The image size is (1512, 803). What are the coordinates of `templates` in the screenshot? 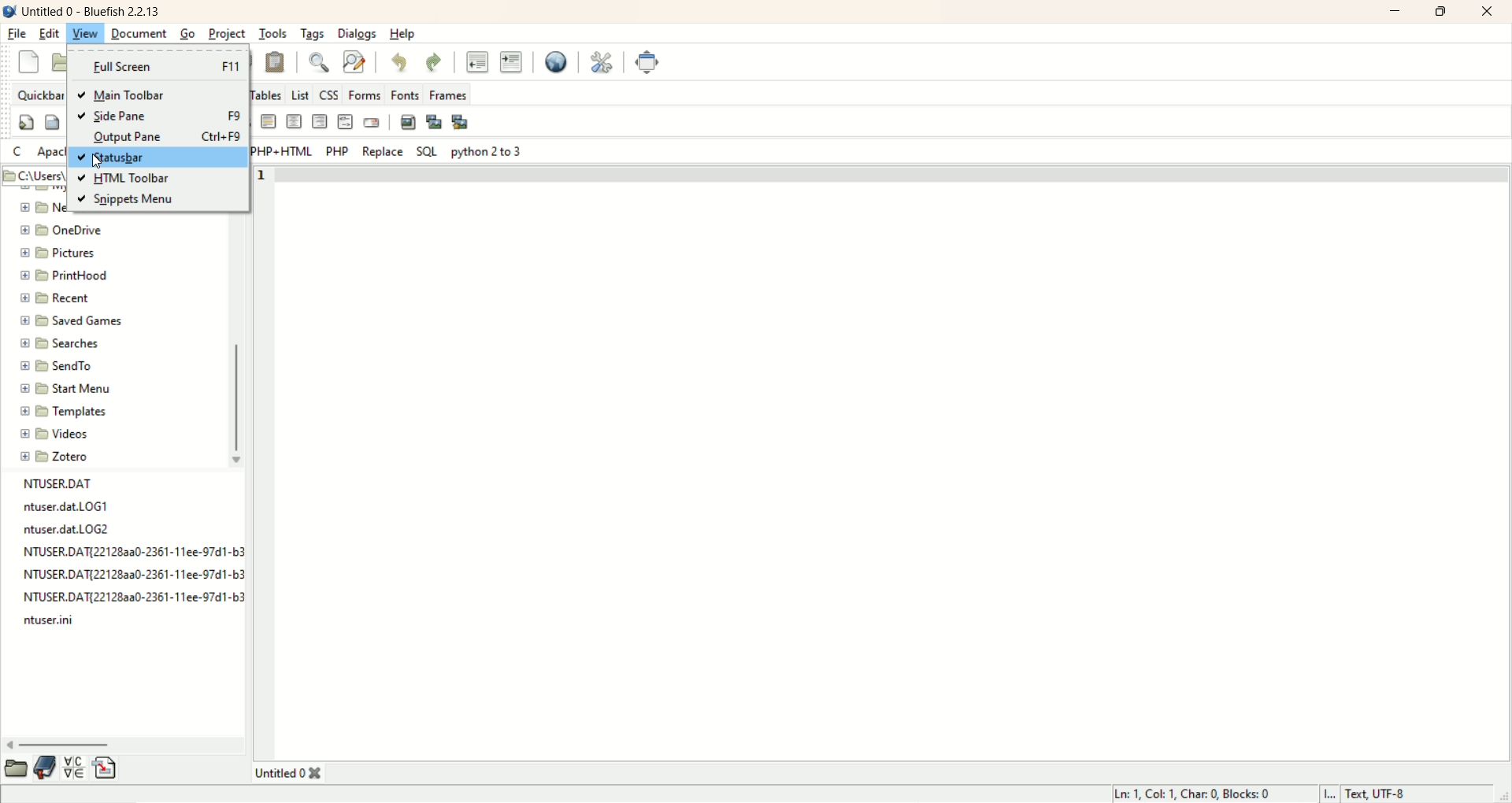 It's located at (66, 410).